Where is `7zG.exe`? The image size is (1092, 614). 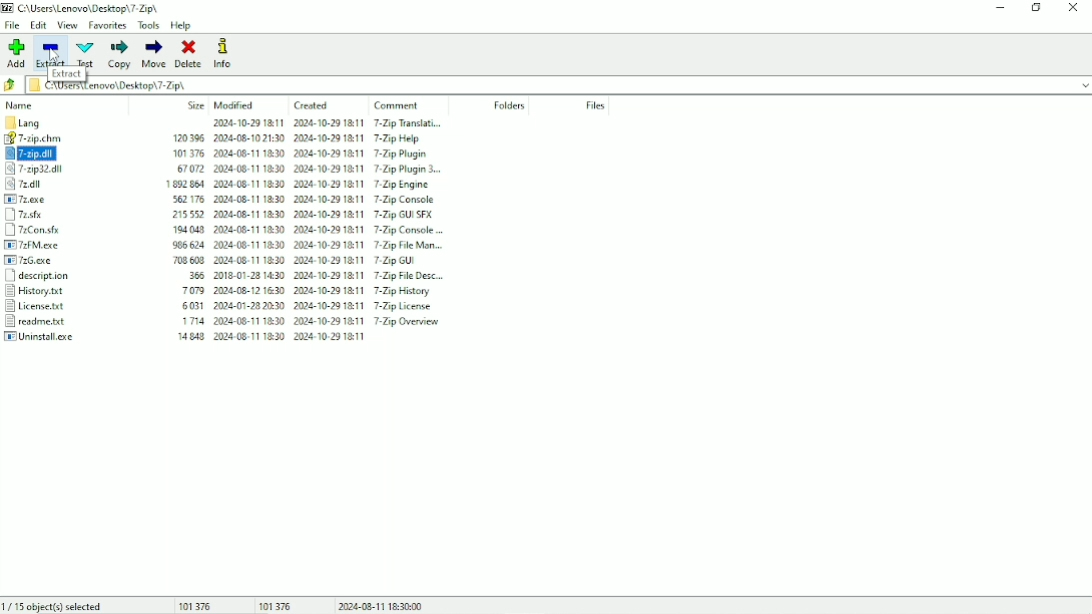
7zG.exe is located at coordinates (63, 261).